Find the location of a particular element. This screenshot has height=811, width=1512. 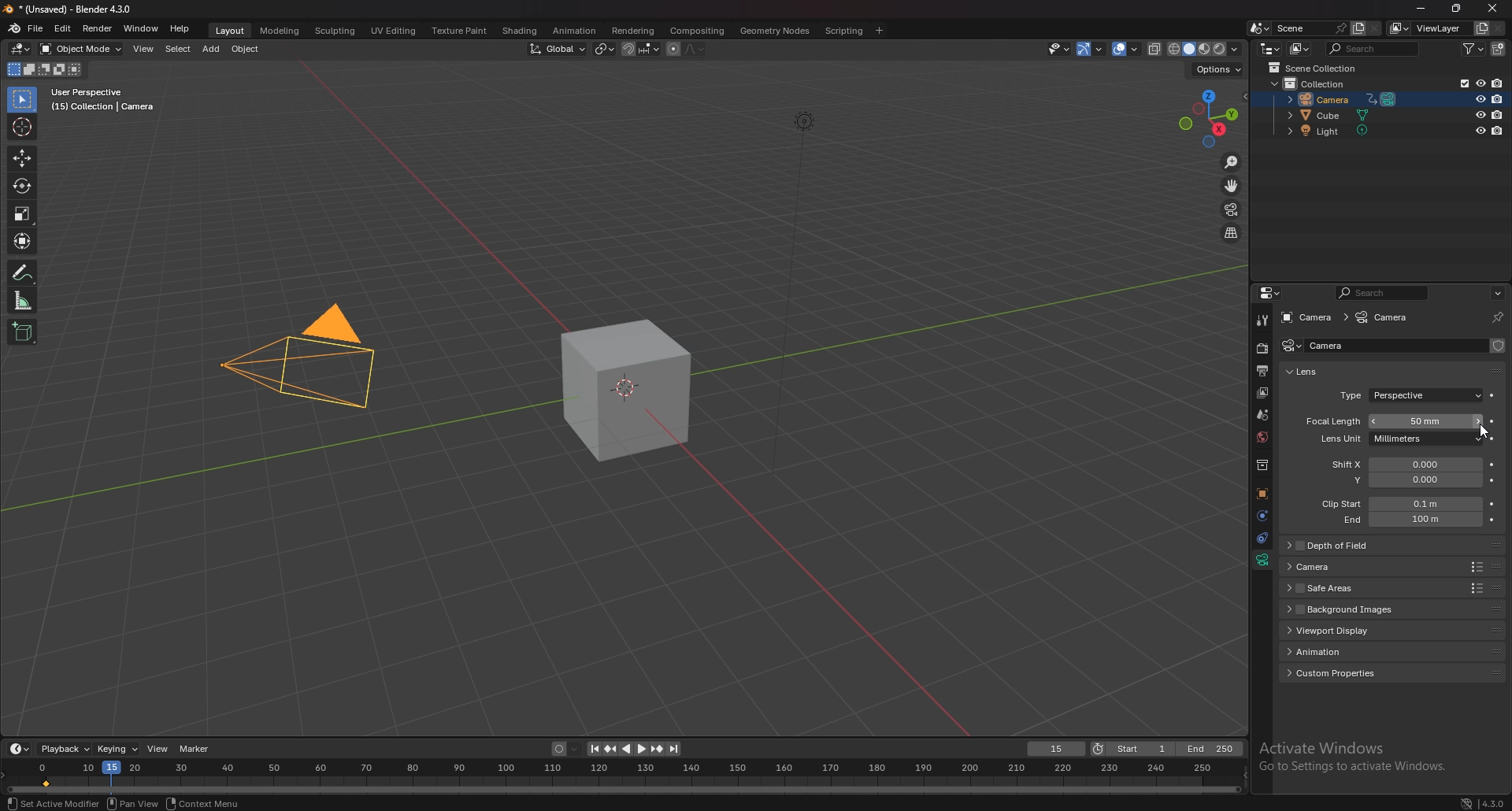

hide in viewport is located at coordinates (1479, 83).